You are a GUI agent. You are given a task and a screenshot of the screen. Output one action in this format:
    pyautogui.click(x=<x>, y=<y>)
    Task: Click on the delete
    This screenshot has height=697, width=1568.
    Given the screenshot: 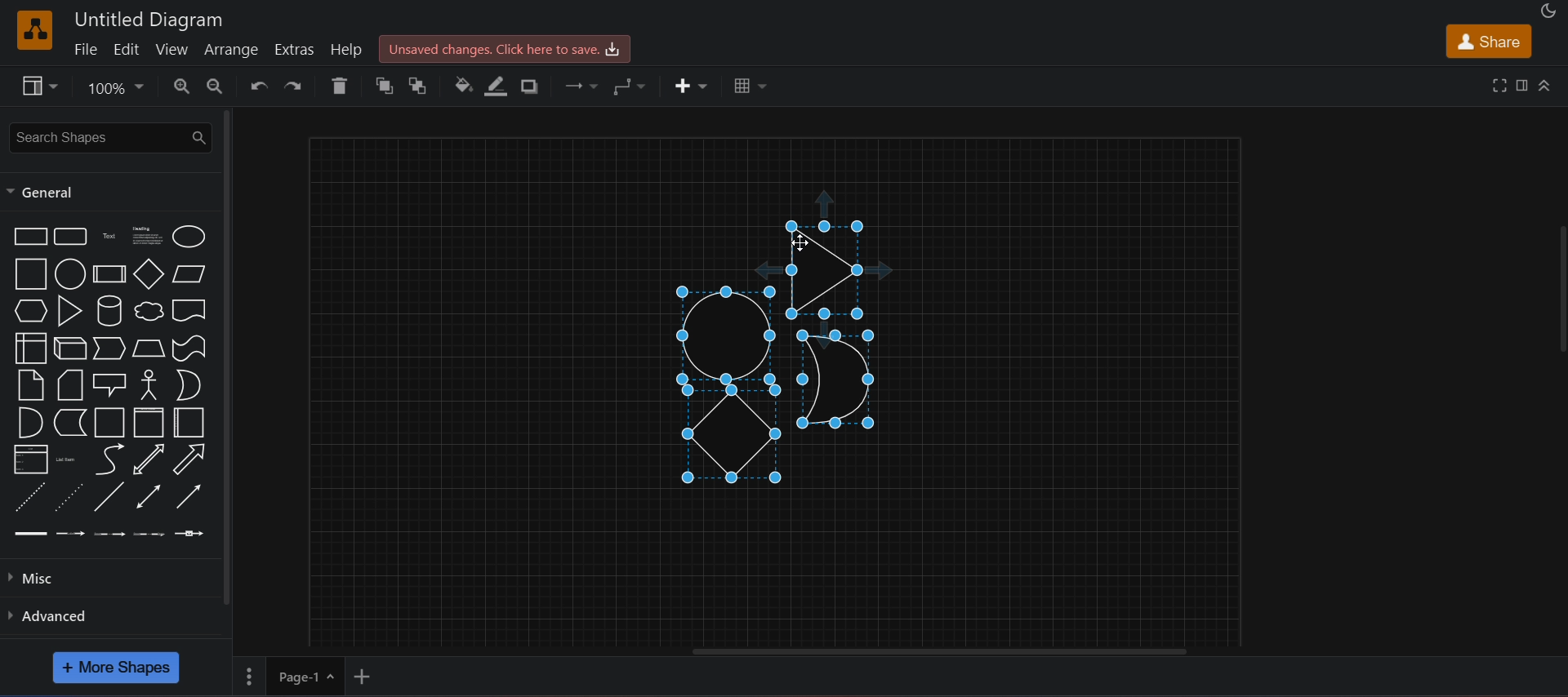 What is the action you would take?
    pyautogui.click(x=343, y=86)
    